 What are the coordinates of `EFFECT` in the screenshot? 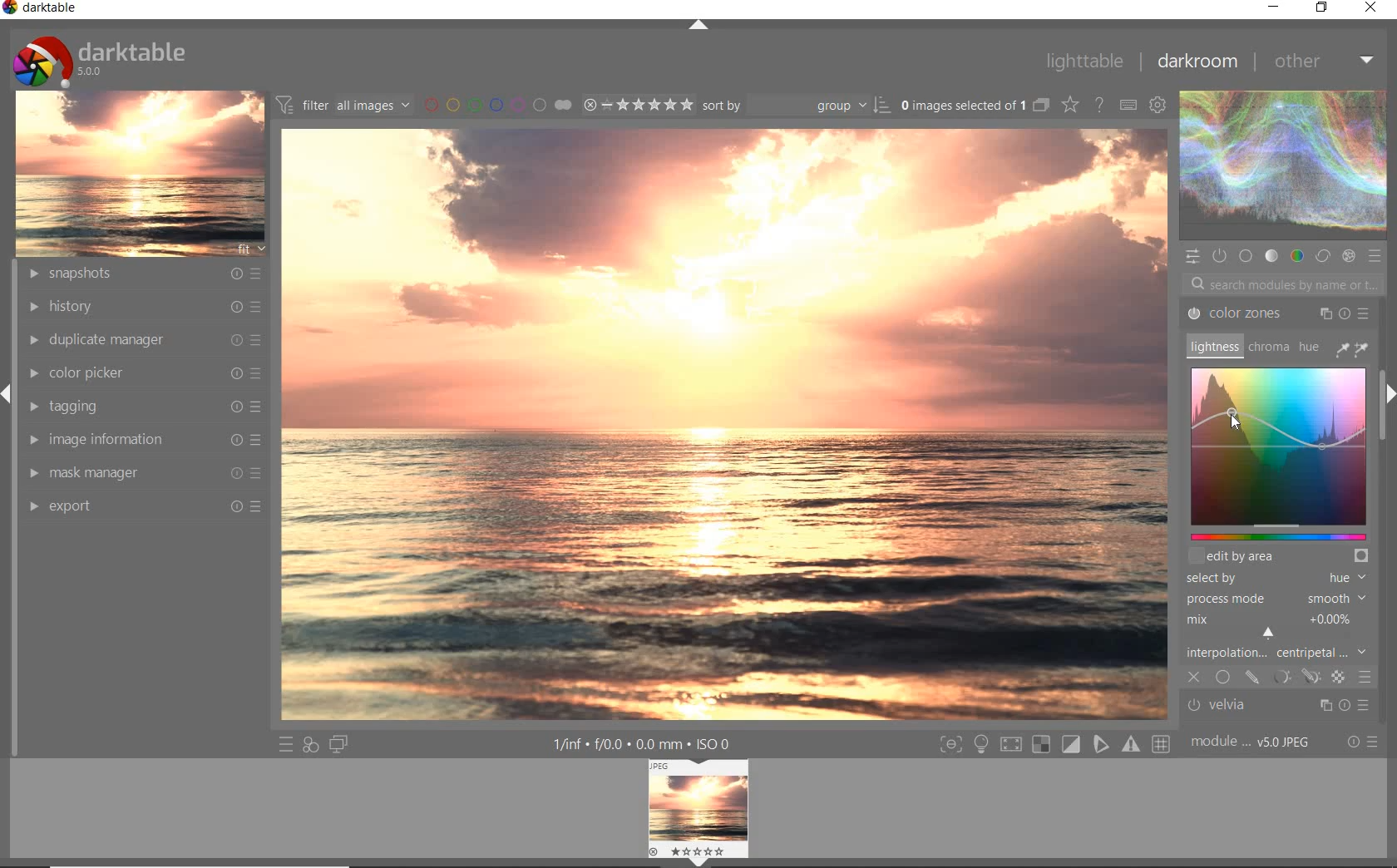 It's located at (1348, 257).